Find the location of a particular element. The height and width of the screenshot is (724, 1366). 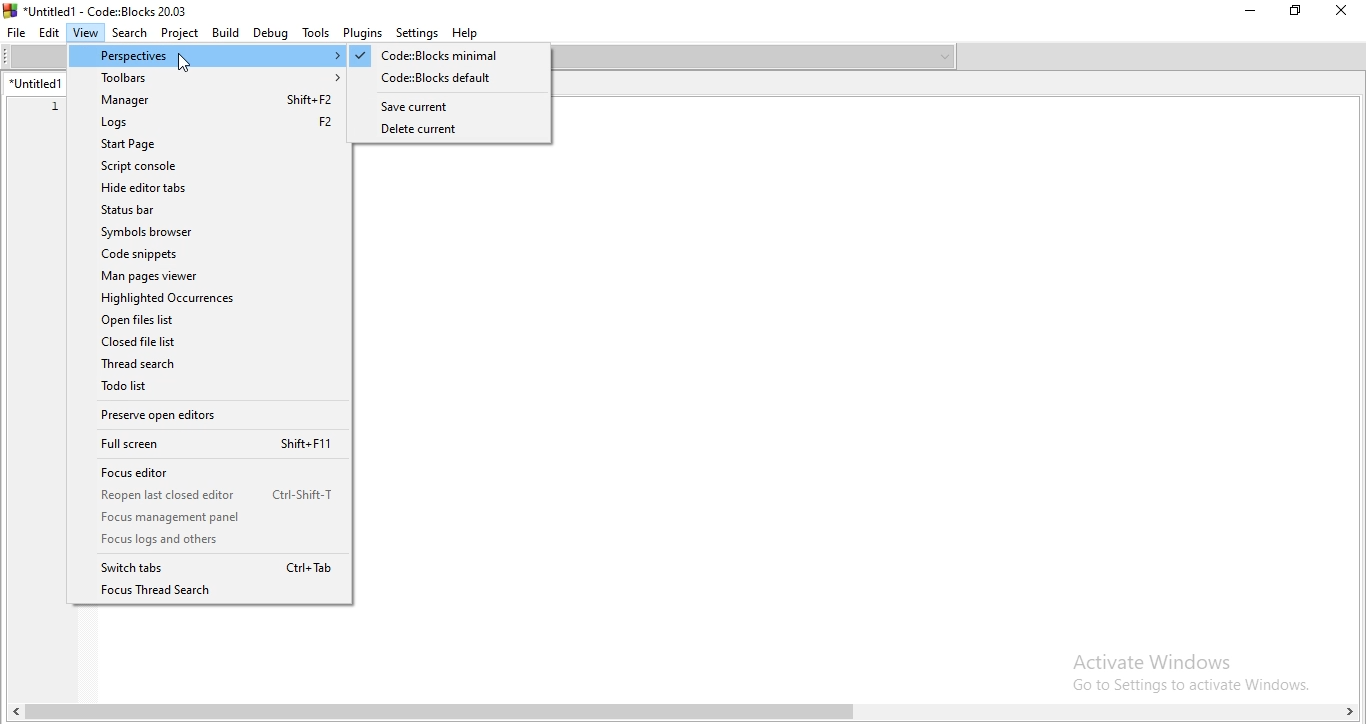

Todo list is located at coordinates (209, 386).